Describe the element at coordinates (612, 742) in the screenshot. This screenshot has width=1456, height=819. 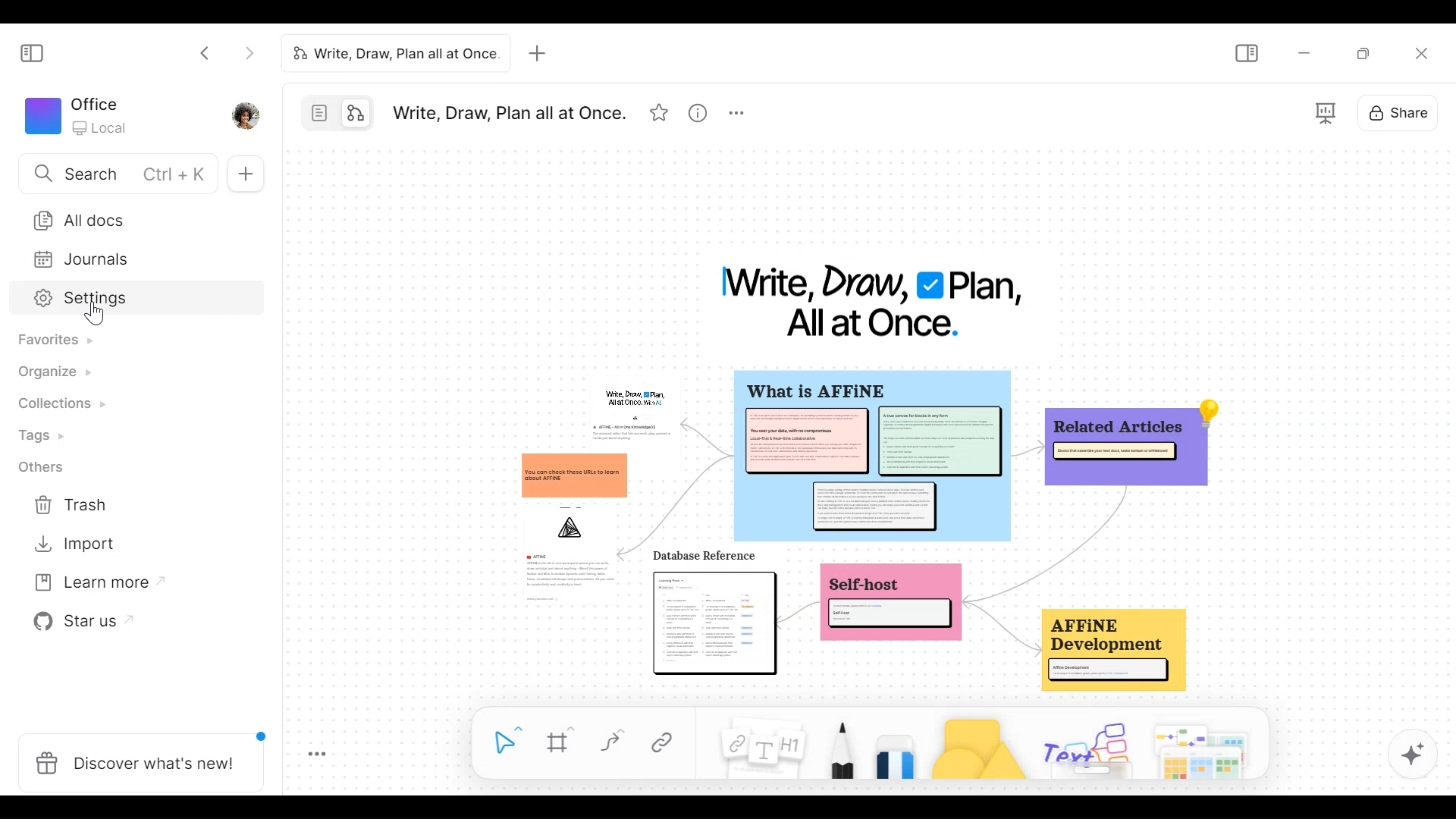
I see `Curve` at that location.